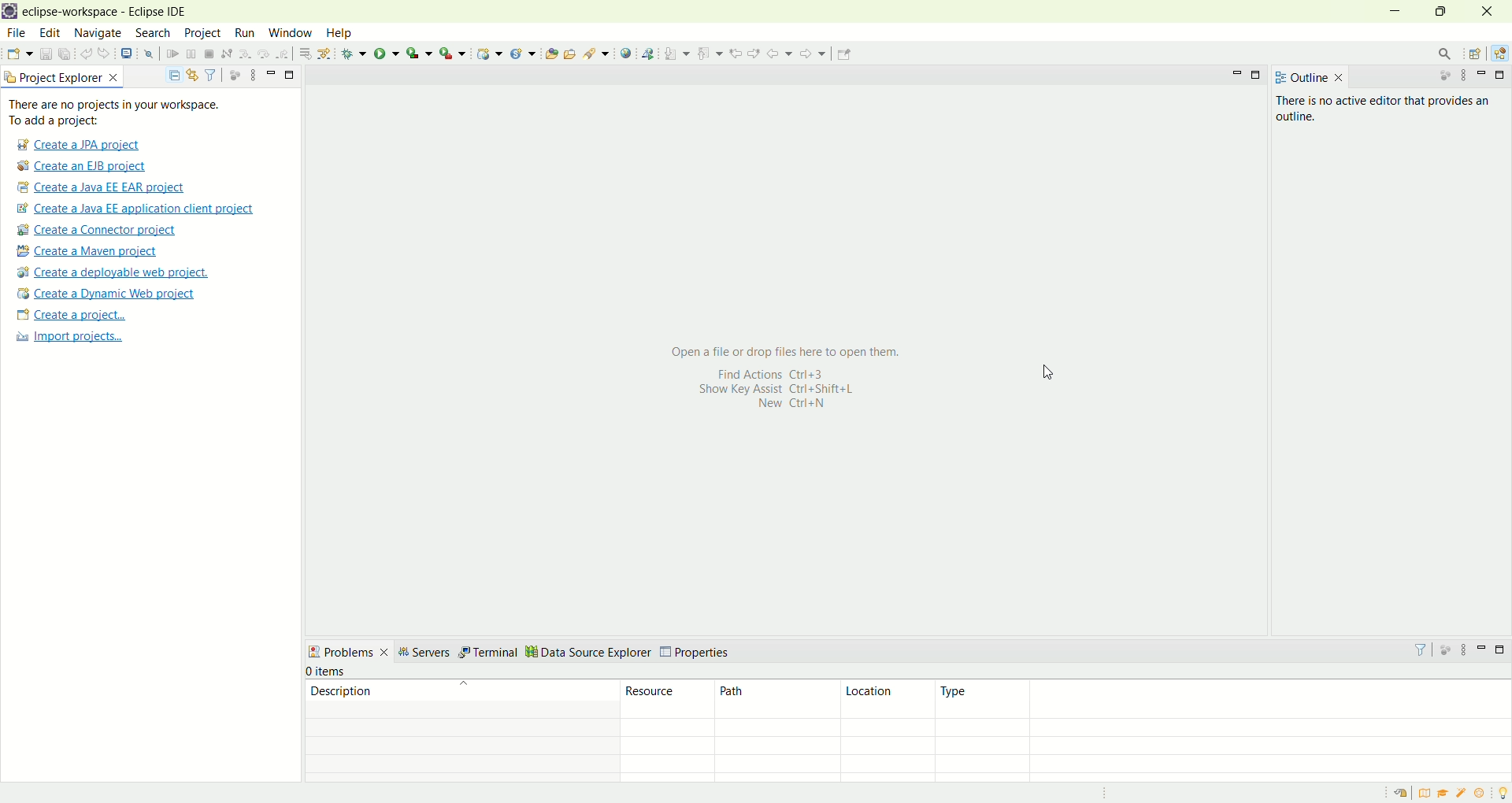 Image resolution: width=1512 pixels, height=803 pixels. I want to click on create a new Java servlet, so click(523, 55).